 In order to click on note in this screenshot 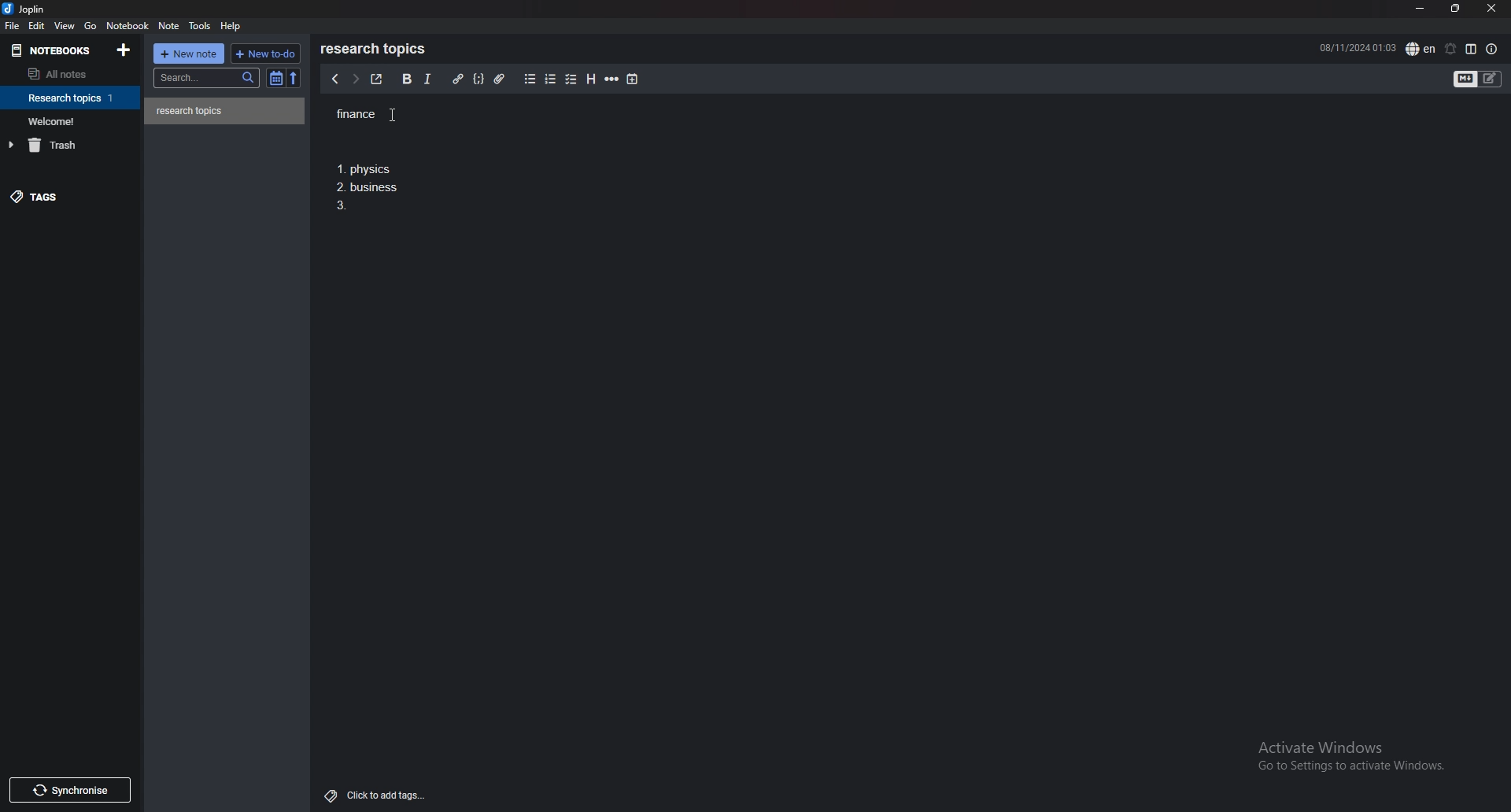, I will do `click(225, 111)`.